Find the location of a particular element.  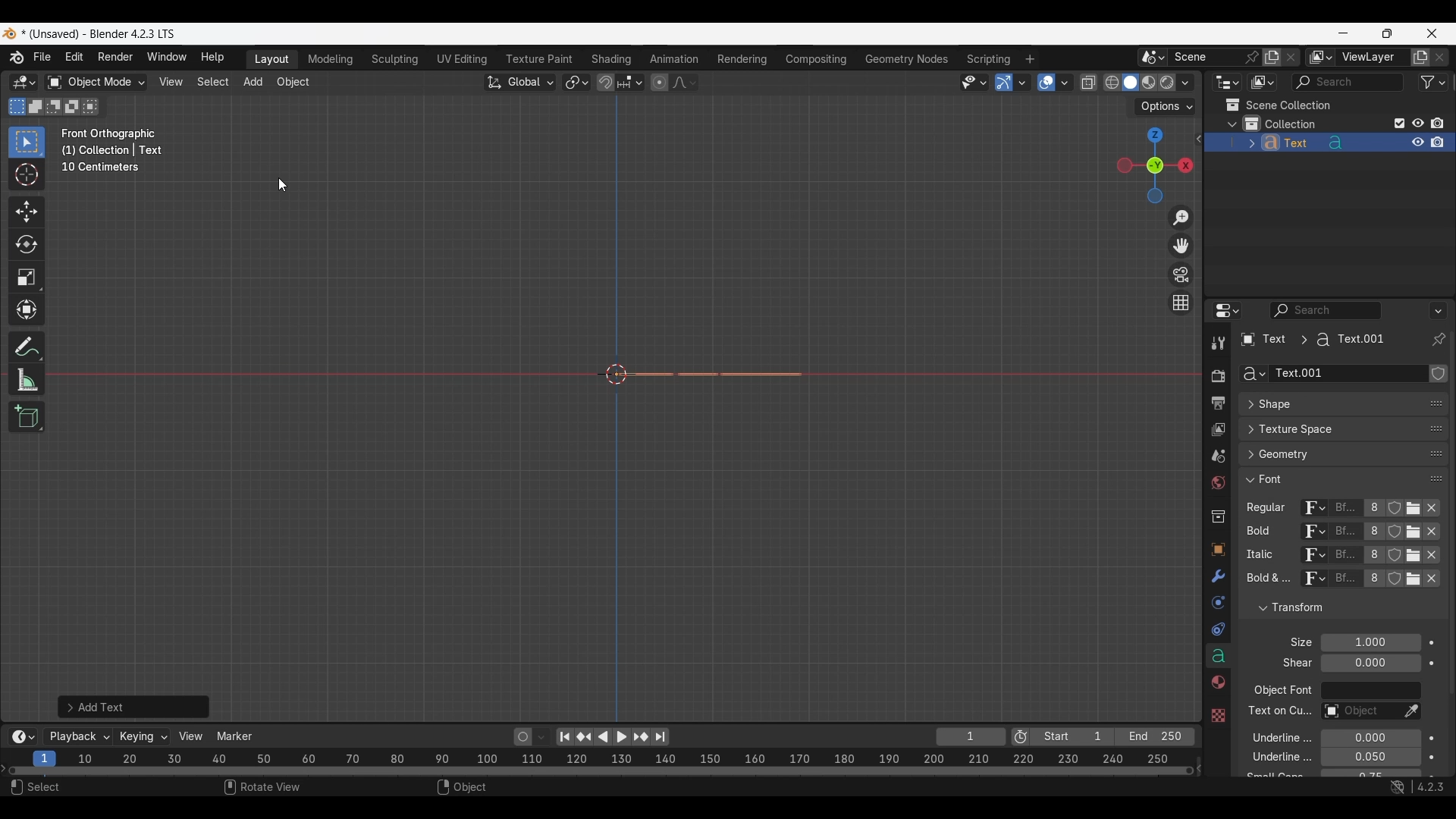

object font is located at coordinates (1282, 692).